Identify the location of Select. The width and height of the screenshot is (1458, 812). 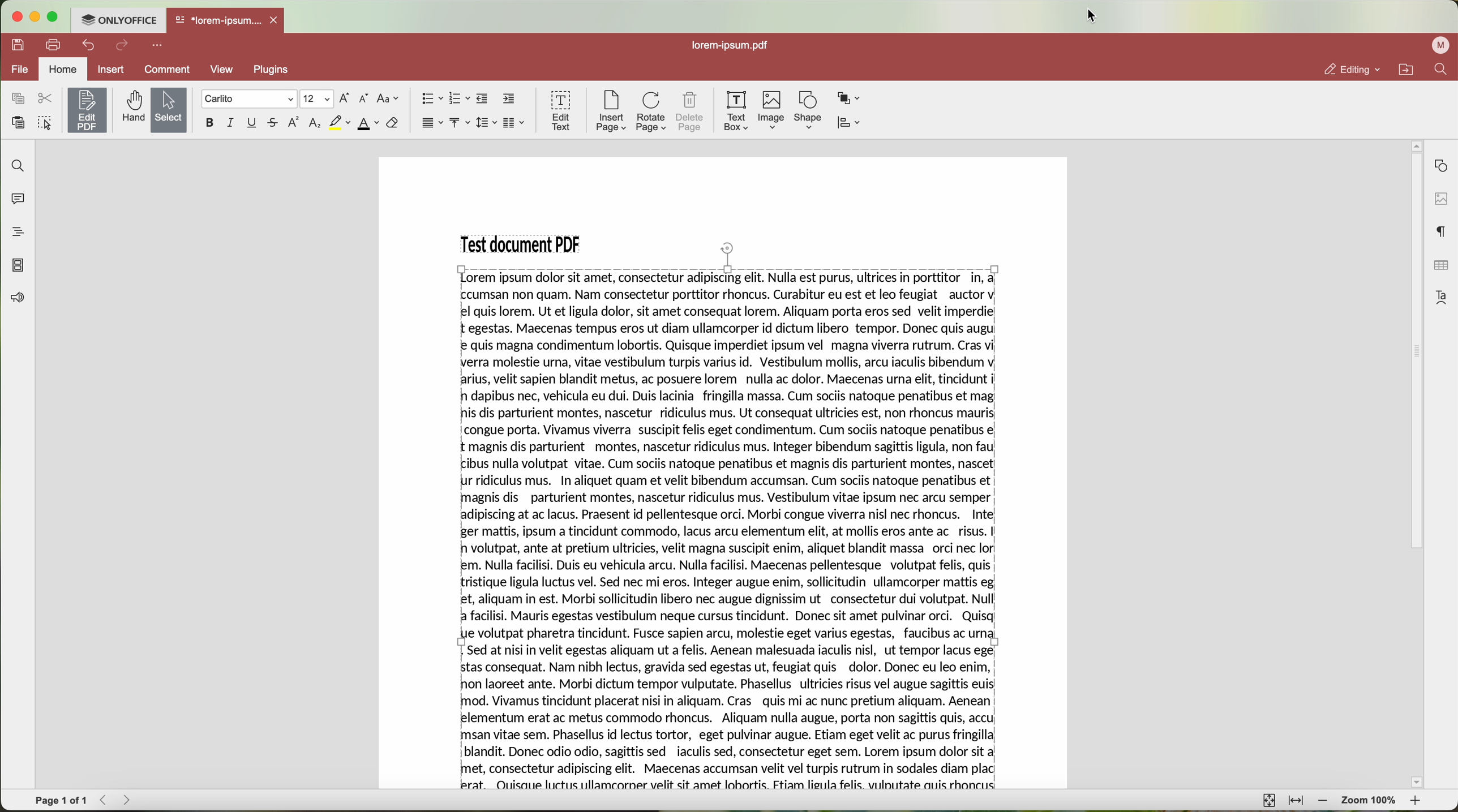
(168, 110).